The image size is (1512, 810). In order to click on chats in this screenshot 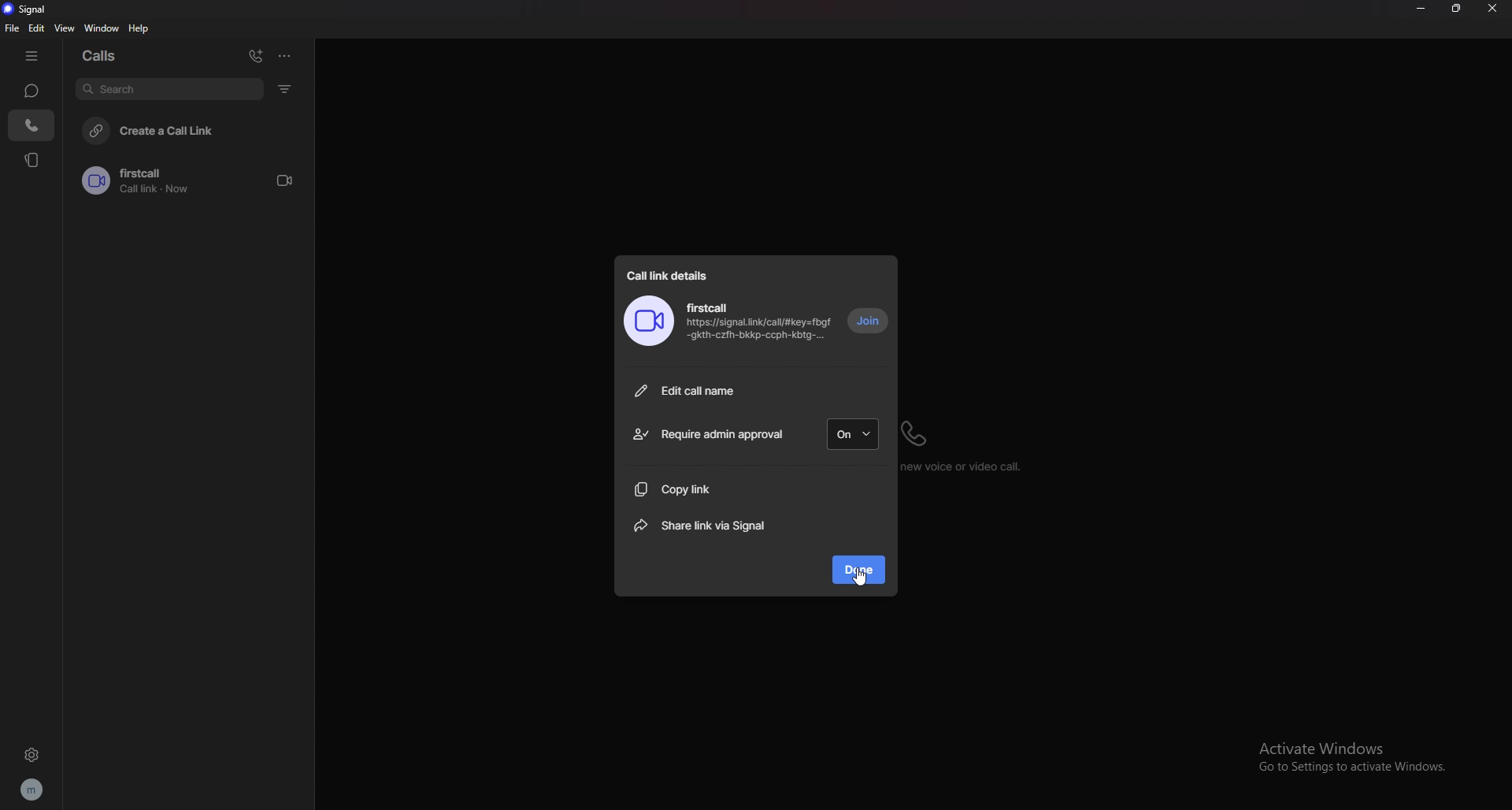, I will do `click(31, 90)`.